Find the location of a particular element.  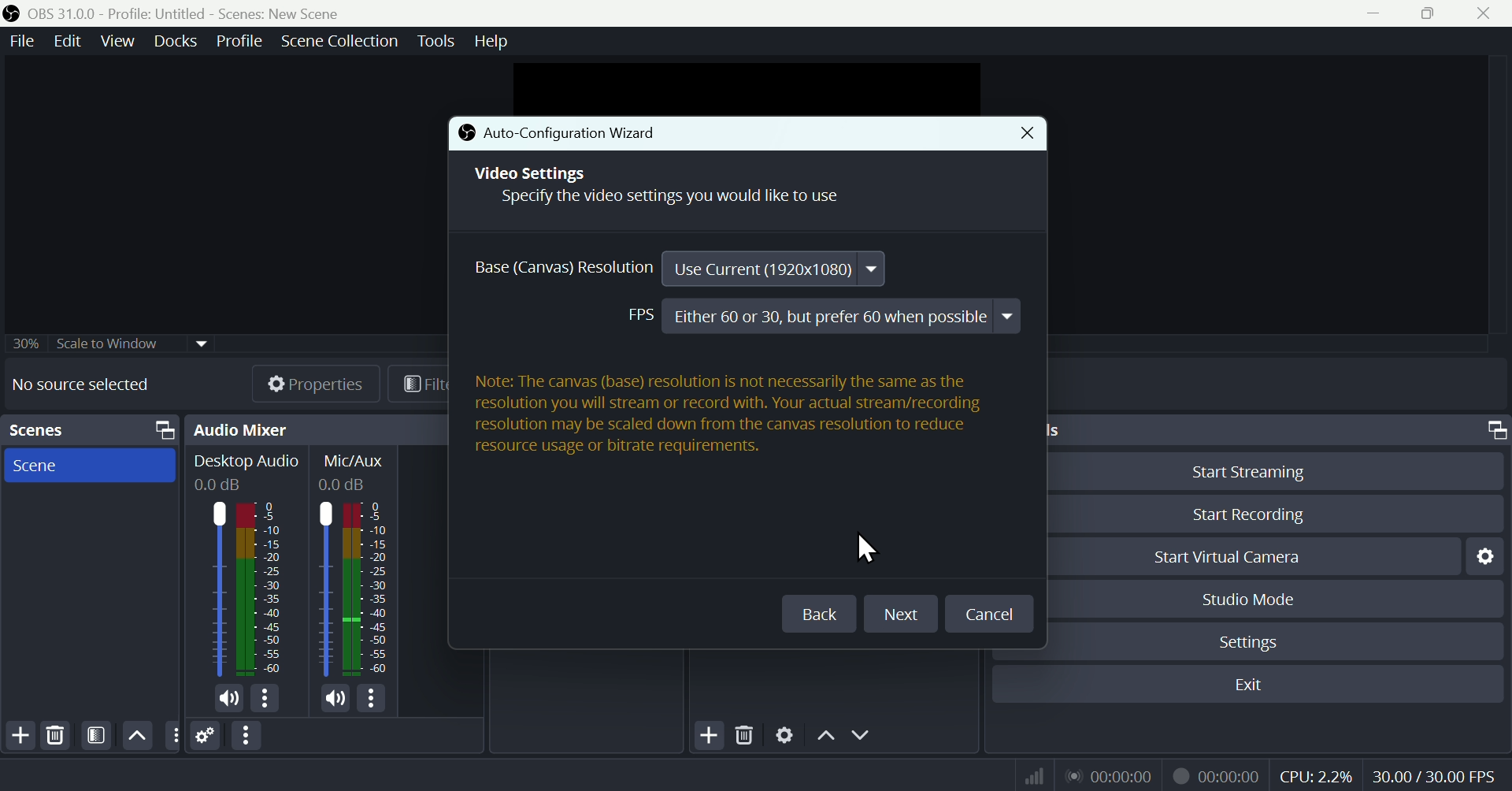

Either 60 or 30, but prefer 60 when possible is located at coordinates (843, 316).